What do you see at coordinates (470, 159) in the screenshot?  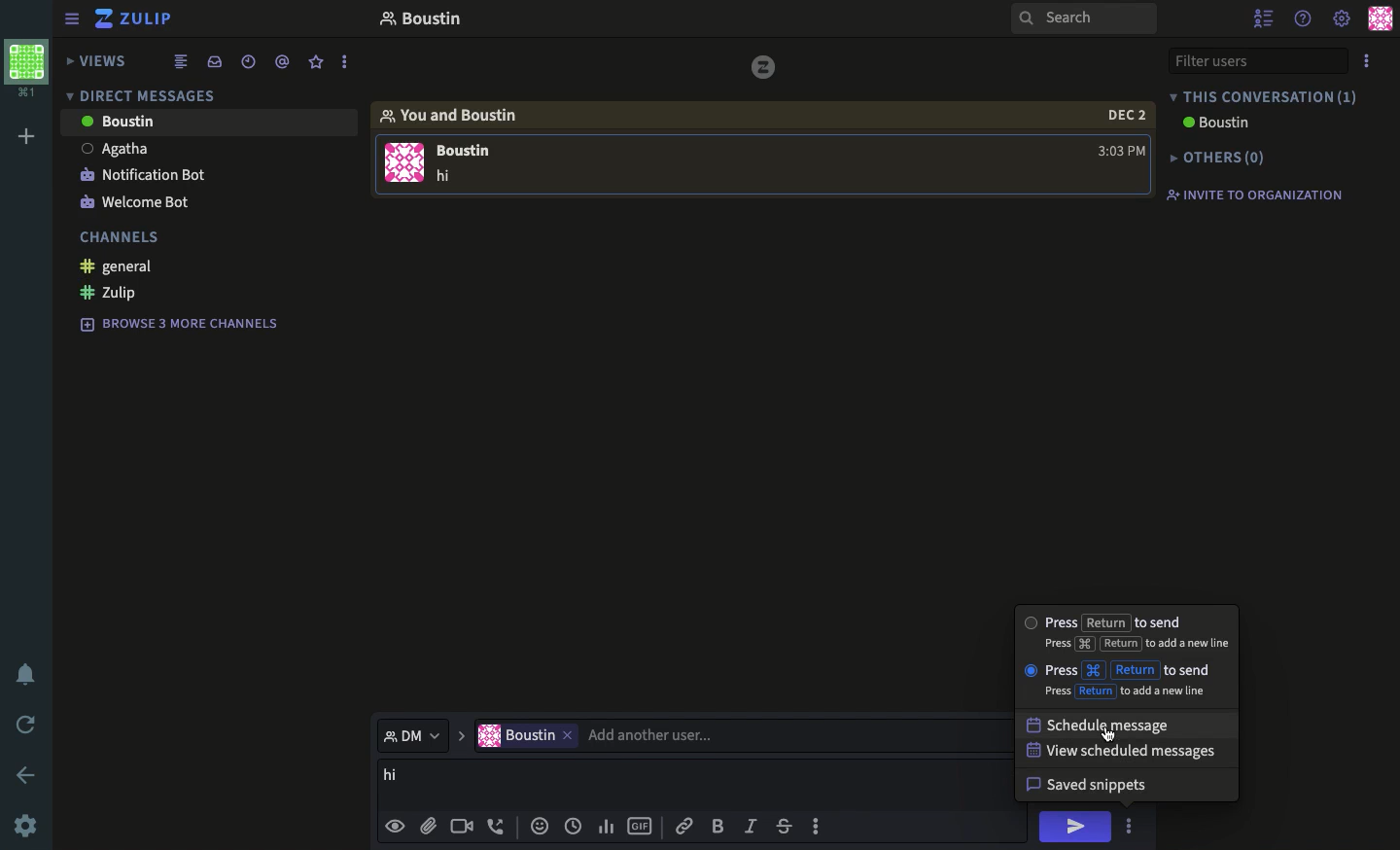 I see `message` at bounding box center [470, 159].